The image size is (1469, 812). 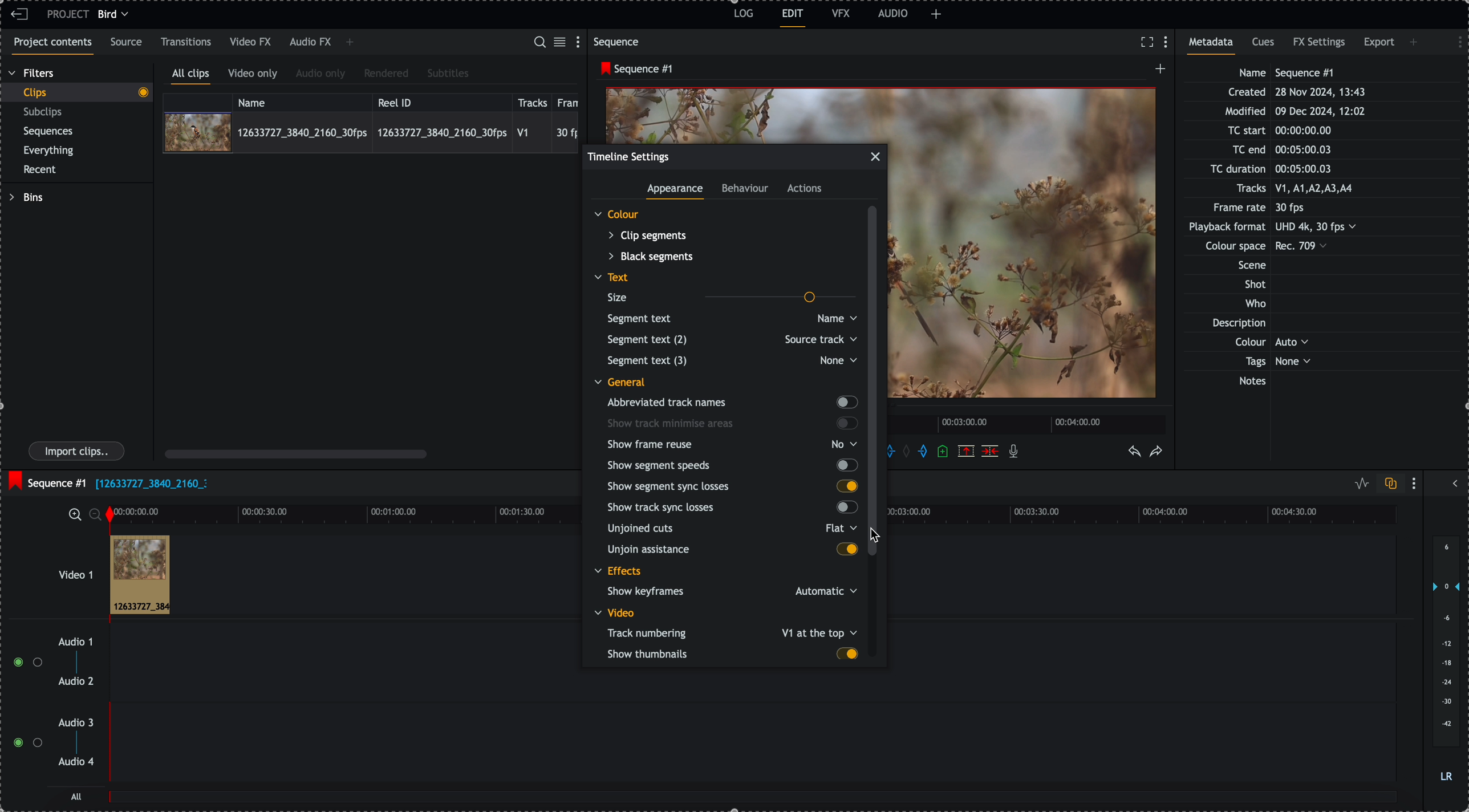 I want to click on show thumnails, so click(x=732, y=655).